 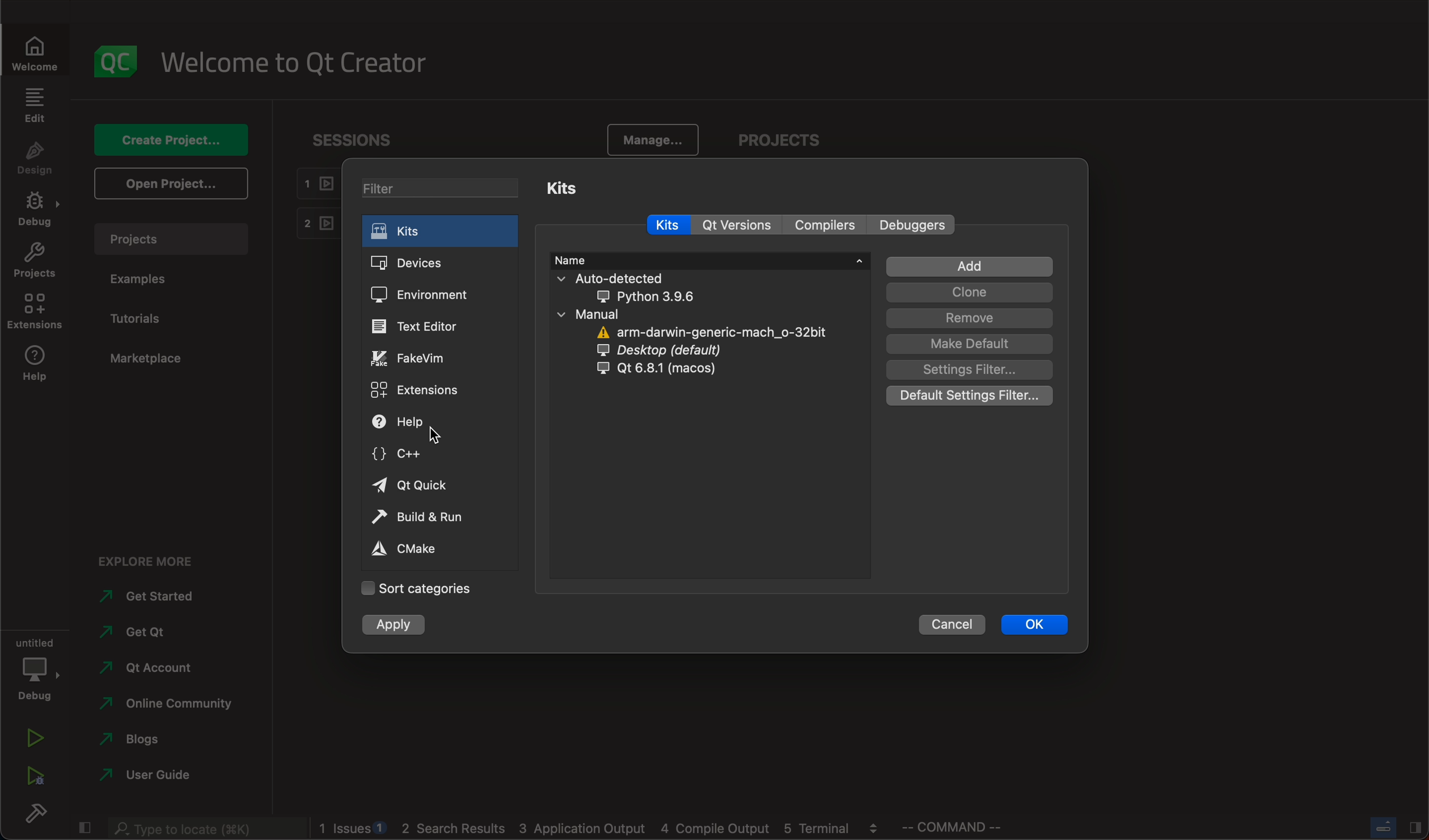 I want to click on qt, so click(x=423, y=486).